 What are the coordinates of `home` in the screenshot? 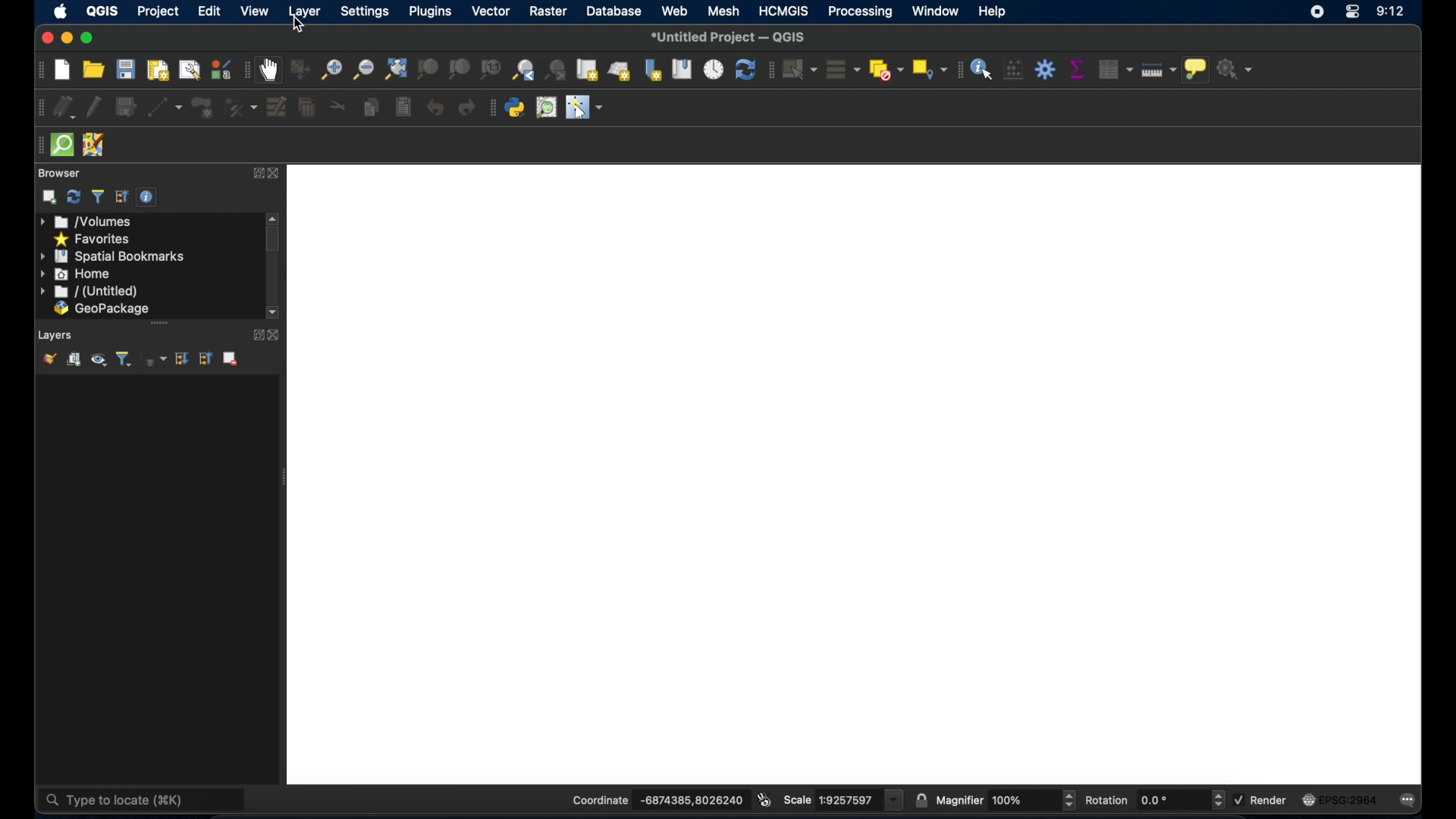 It's located at (77, 274).